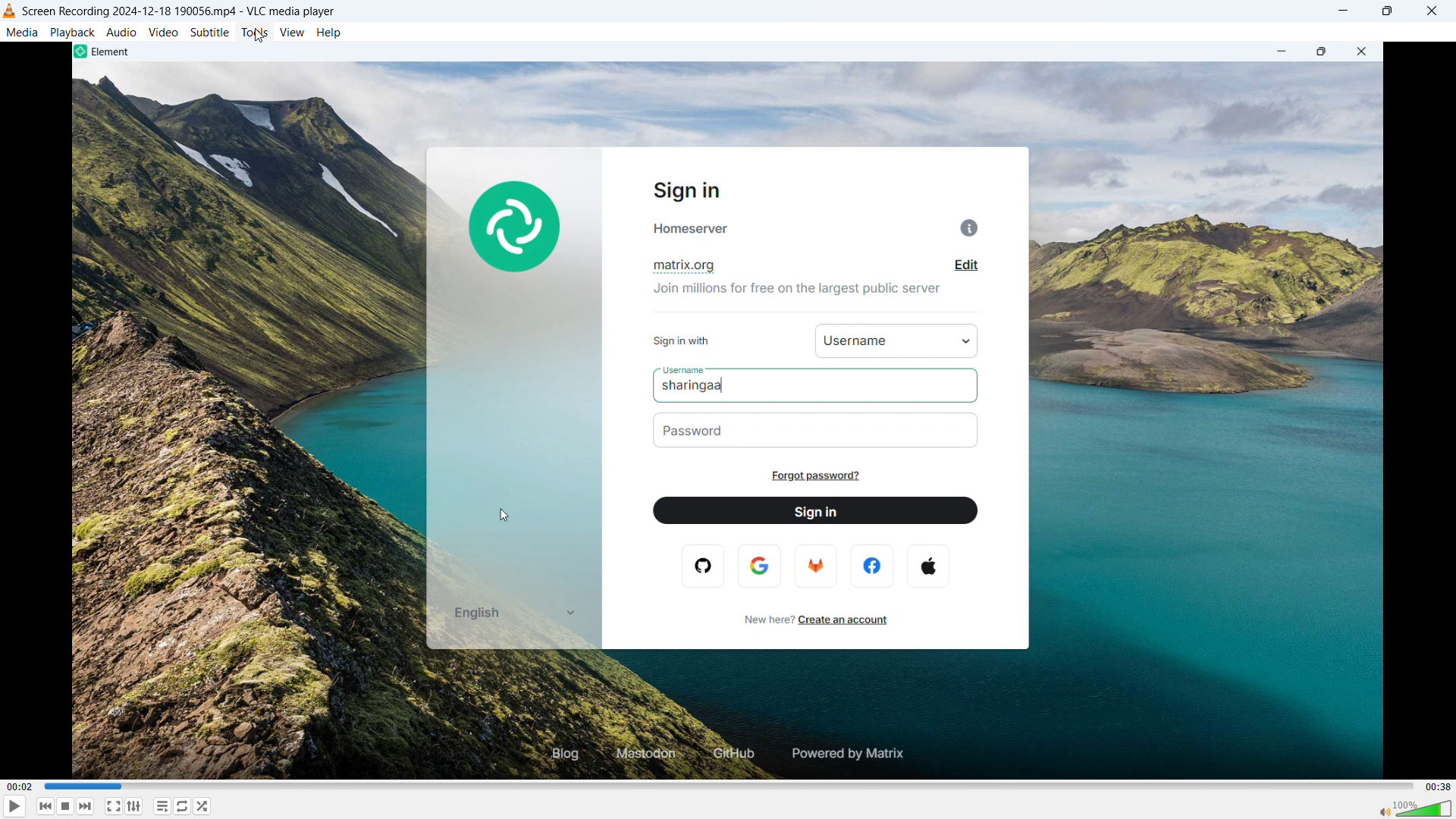  Describe the element at coordinates (209, 32) in the screenshot. I see `subtitle` at that location.